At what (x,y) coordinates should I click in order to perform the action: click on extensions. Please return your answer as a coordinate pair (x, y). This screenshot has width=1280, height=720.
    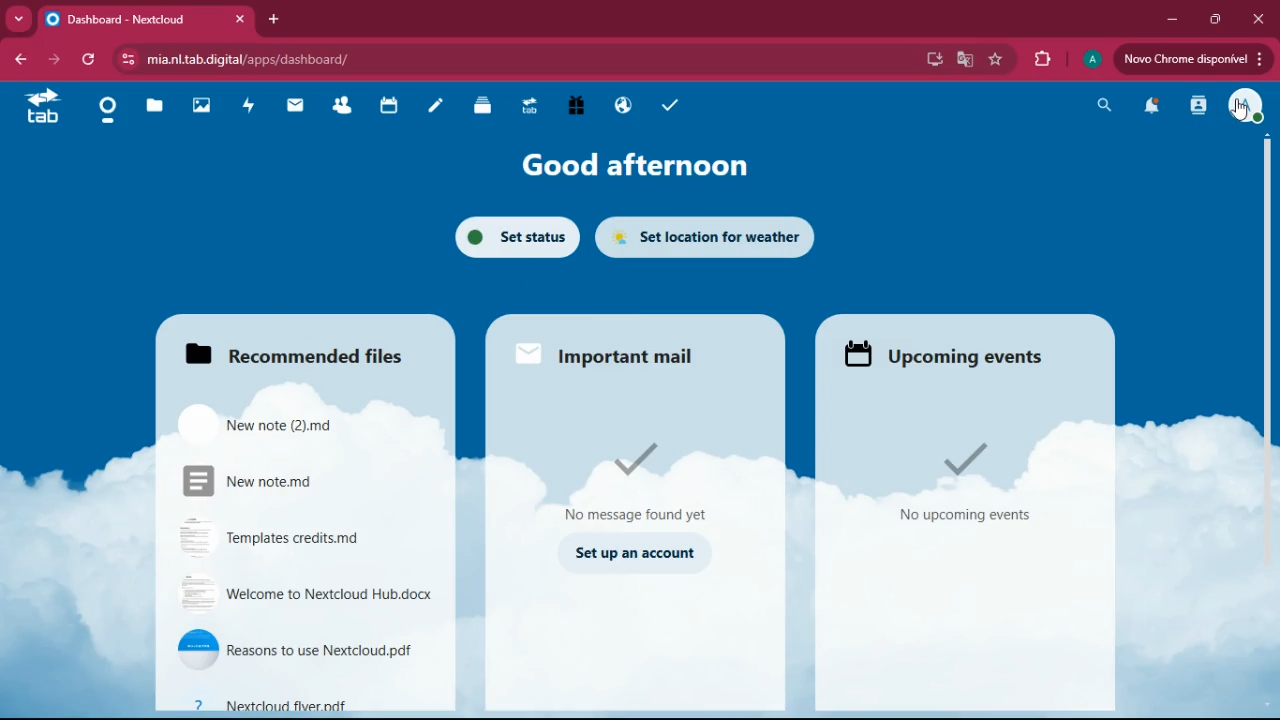
    Looking at the image, I should click on (1041, 60).